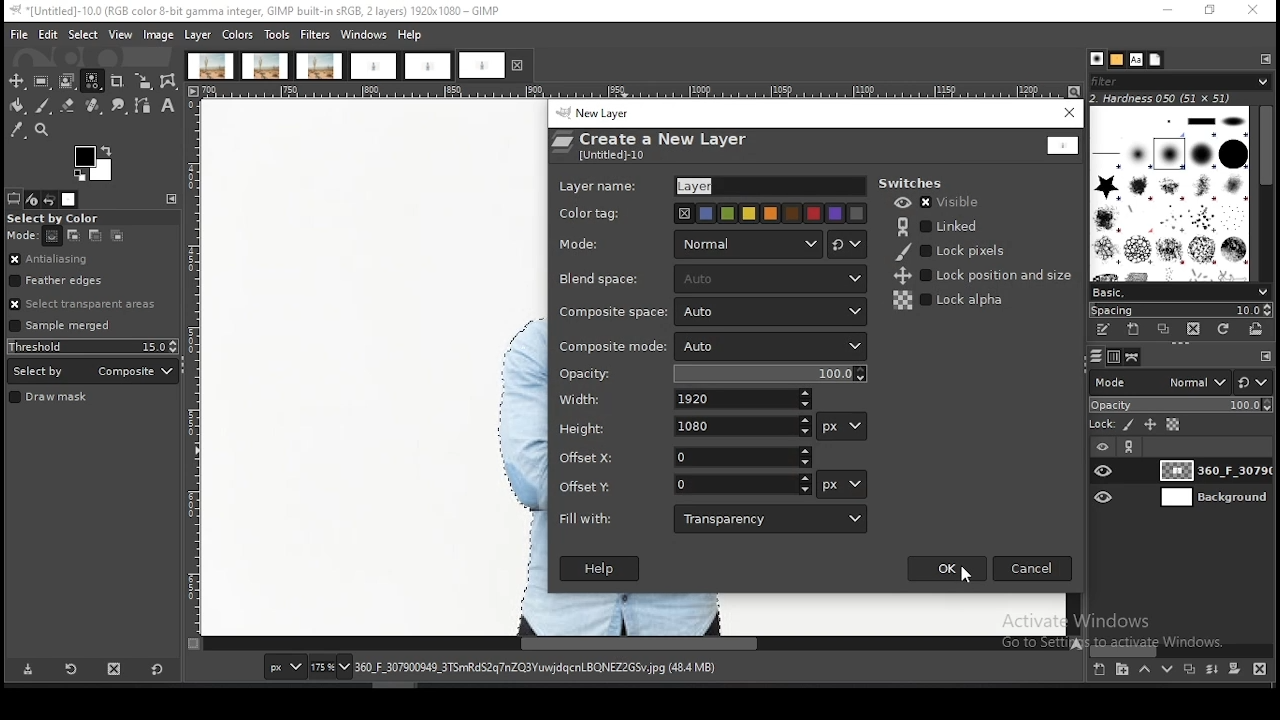 The image size is (1280, 720). Describe the element at coordinates (743, 458) in the screenshot. I see `offset X` at that location.